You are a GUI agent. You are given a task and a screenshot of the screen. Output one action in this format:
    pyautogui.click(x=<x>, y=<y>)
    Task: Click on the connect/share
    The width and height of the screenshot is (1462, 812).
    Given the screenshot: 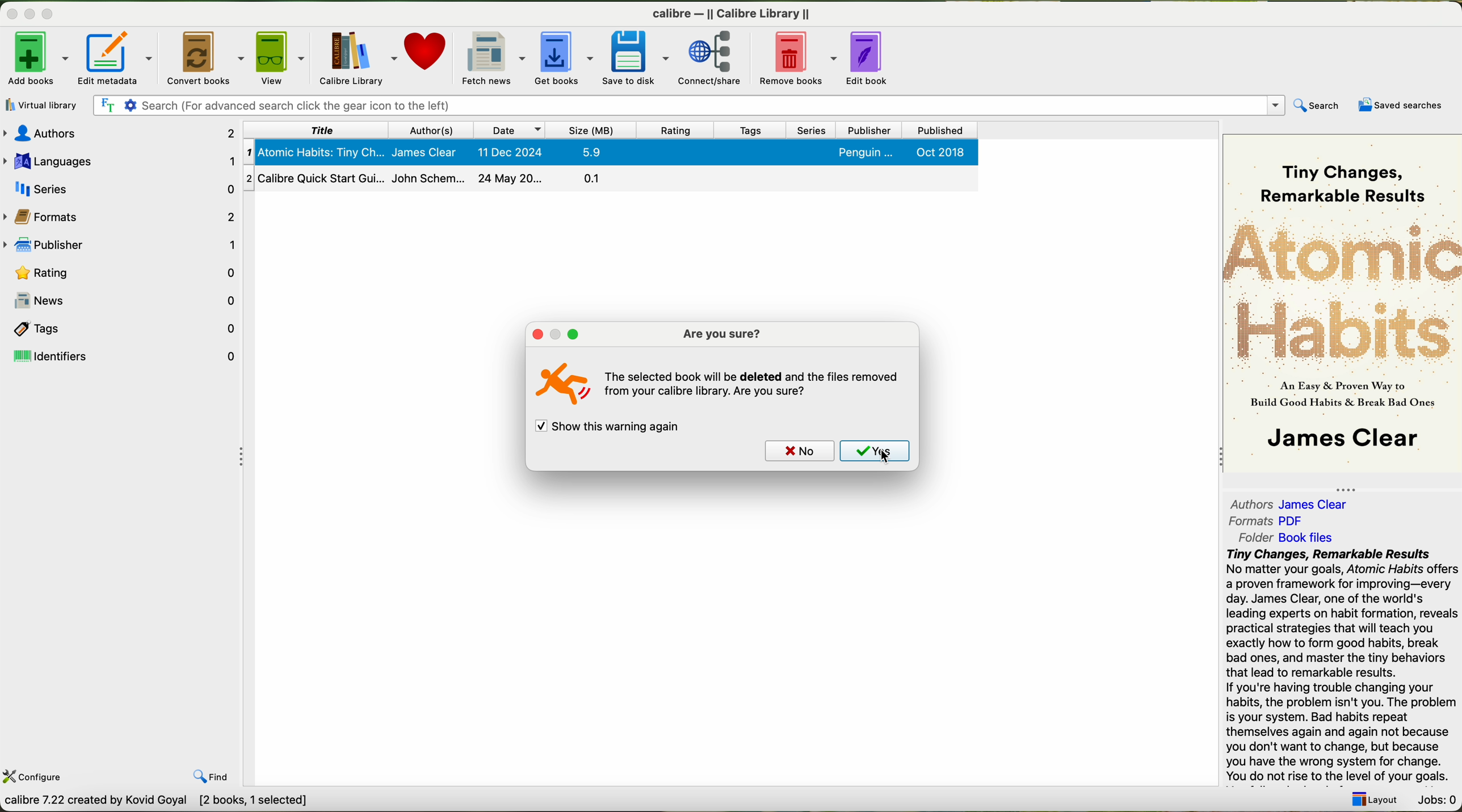 What is the action you would take?
    pyautogui.click(x=710, y=58)
    